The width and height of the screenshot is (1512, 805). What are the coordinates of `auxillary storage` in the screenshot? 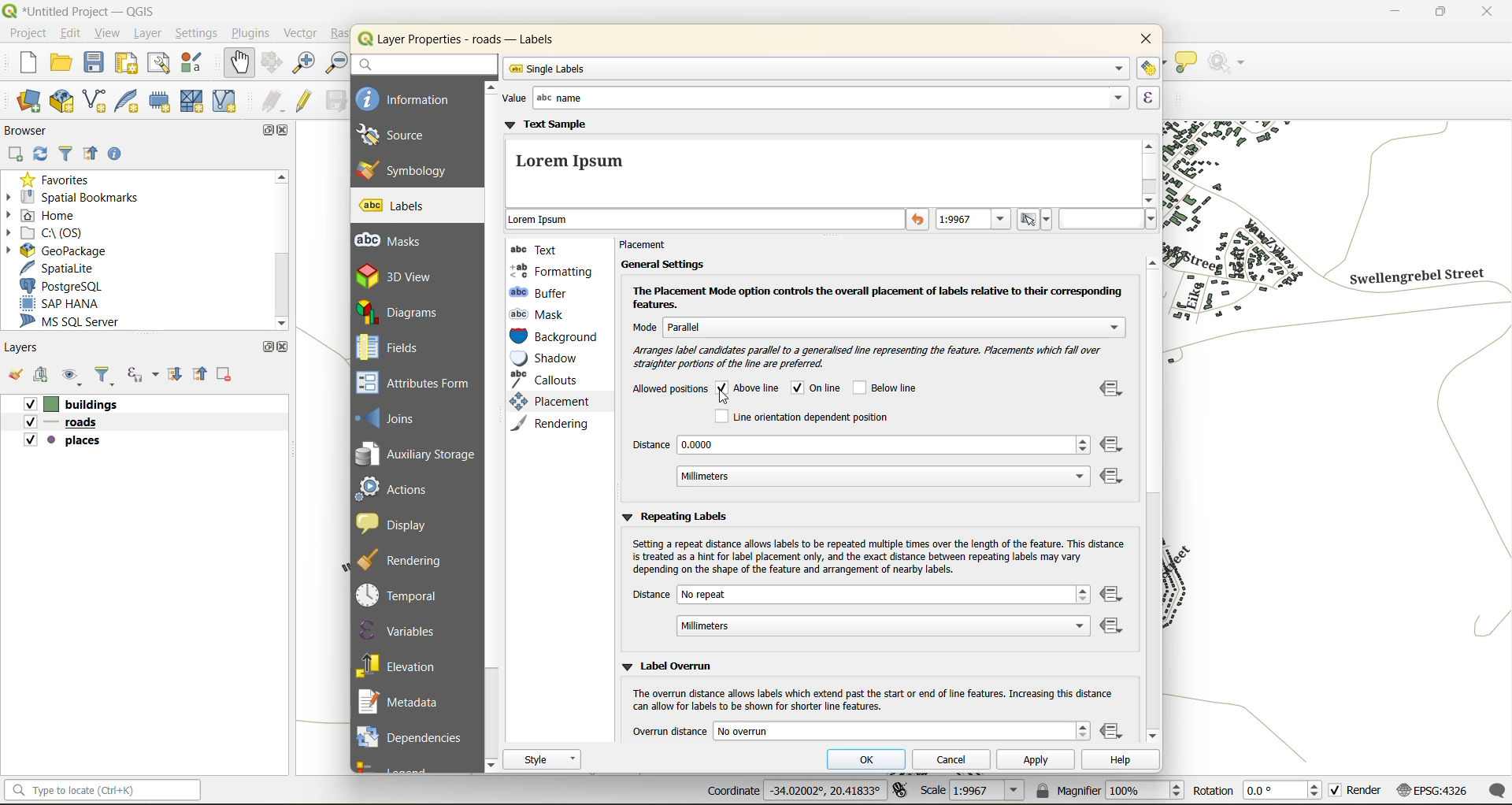 It's located at (417, 457).